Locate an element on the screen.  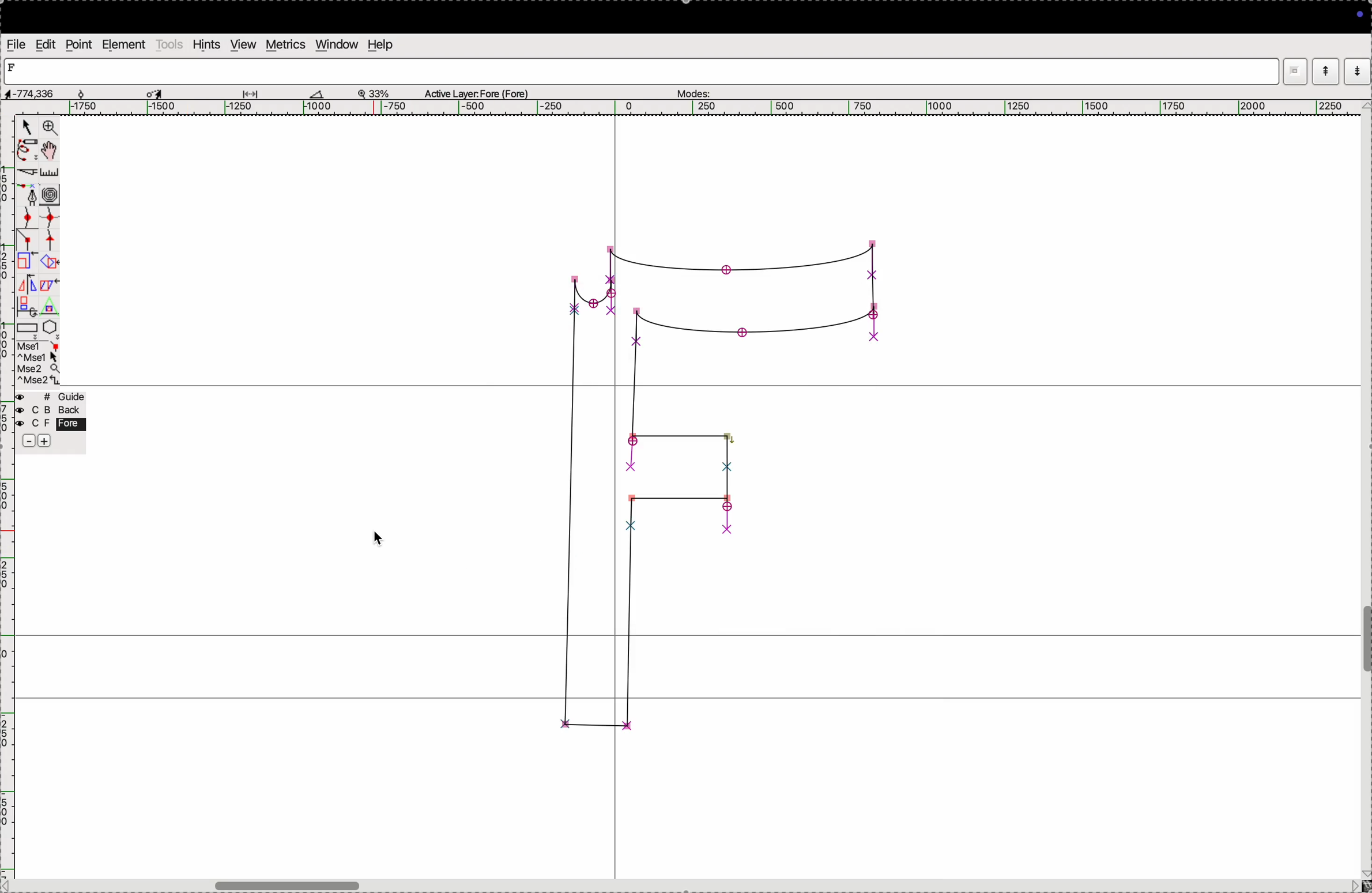
curves is located at coordinates (51, 196).